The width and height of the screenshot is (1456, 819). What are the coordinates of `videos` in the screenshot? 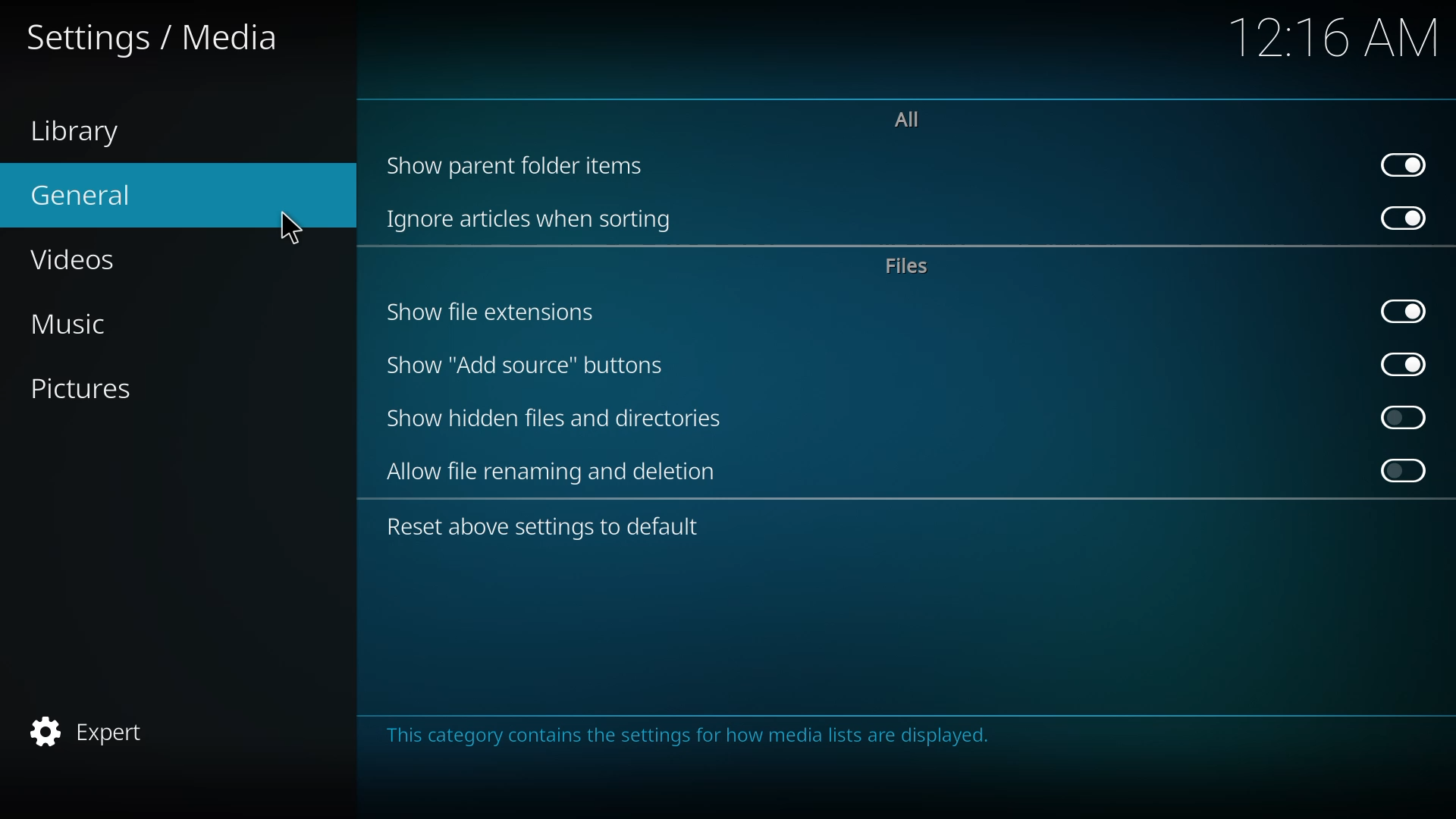 It's located at (89, 258).